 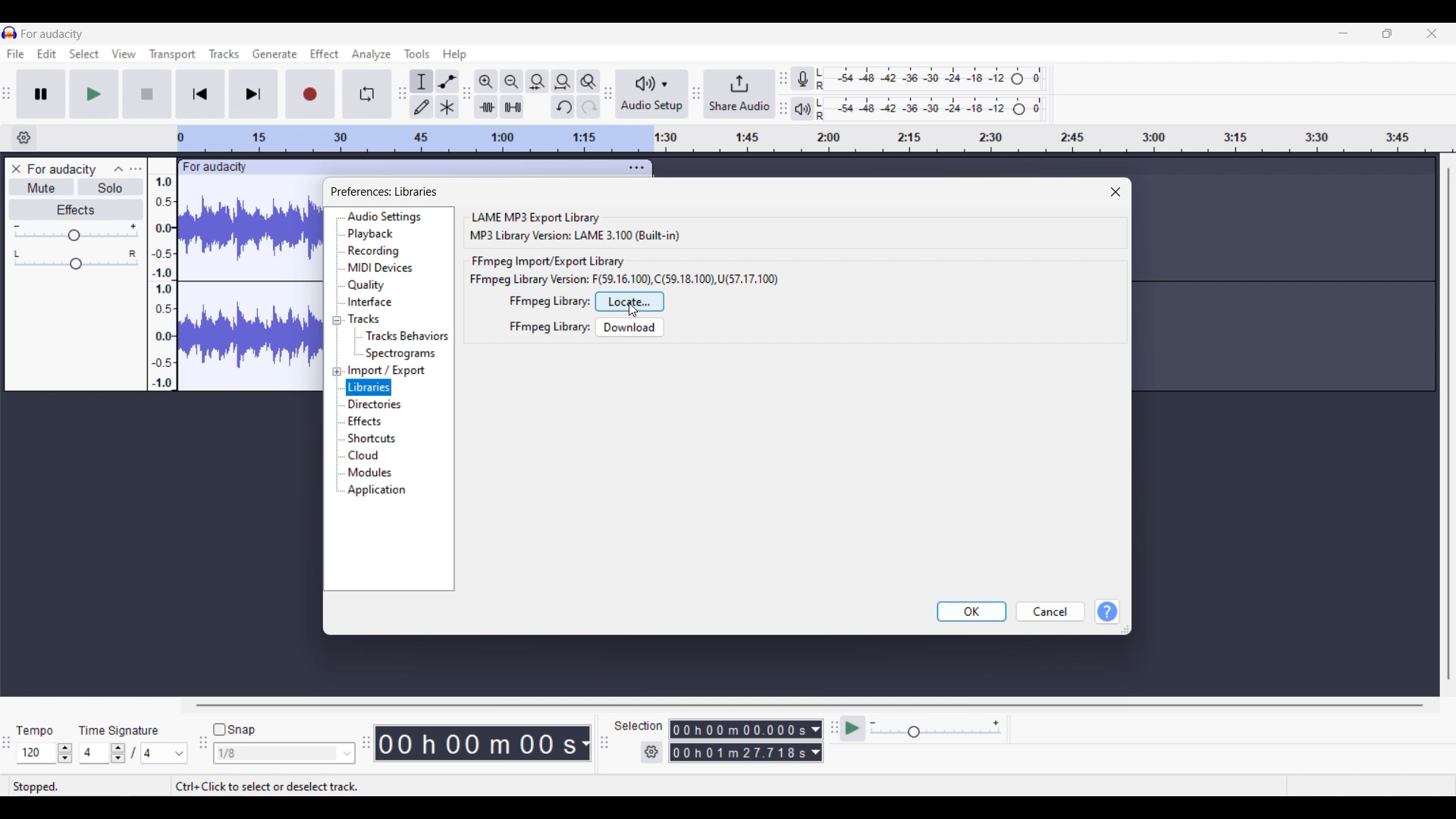 I want to click on Close interface, so click(x=1432, y=33).